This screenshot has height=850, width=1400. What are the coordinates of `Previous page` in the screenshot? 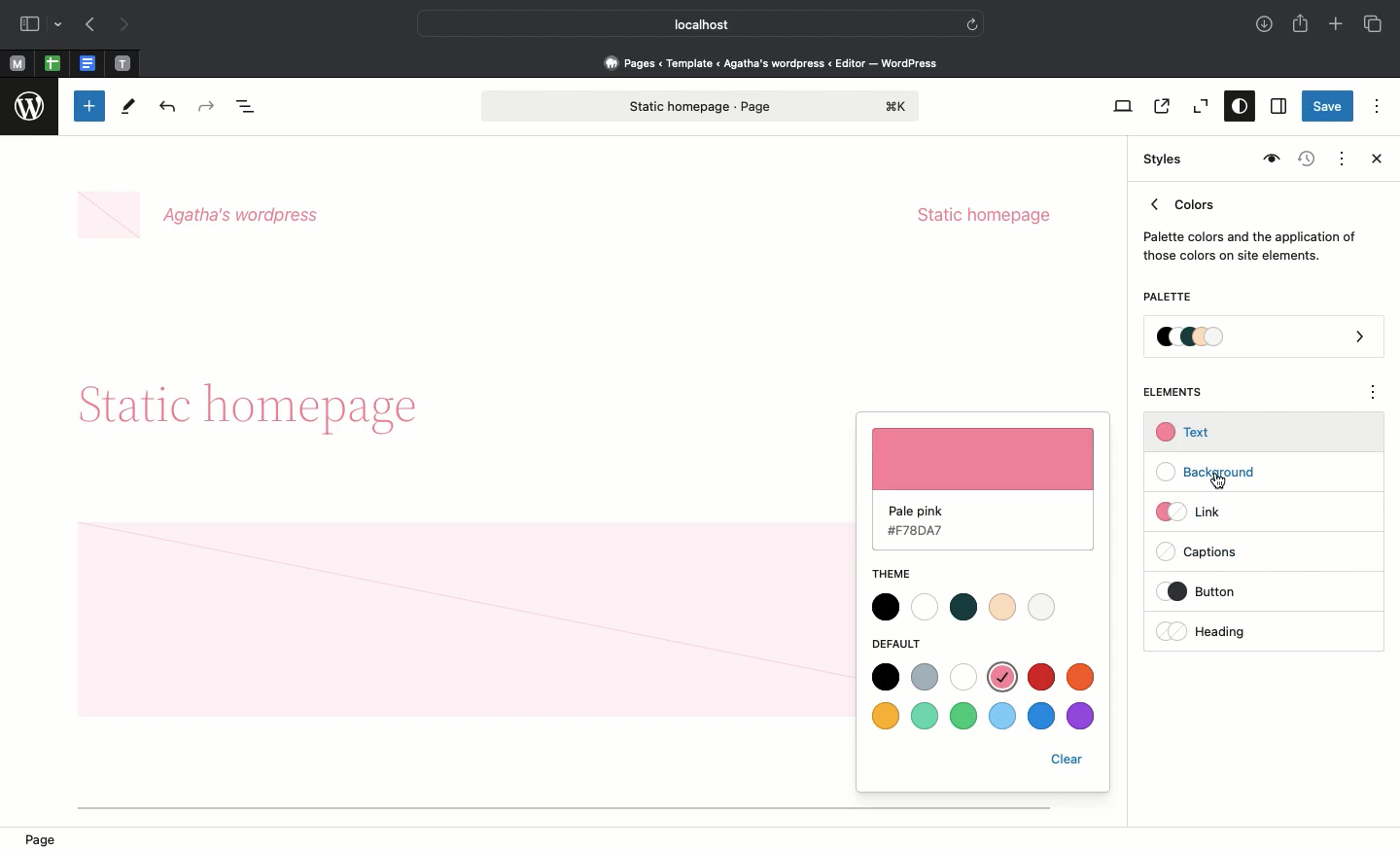 It's located at (88, 26).